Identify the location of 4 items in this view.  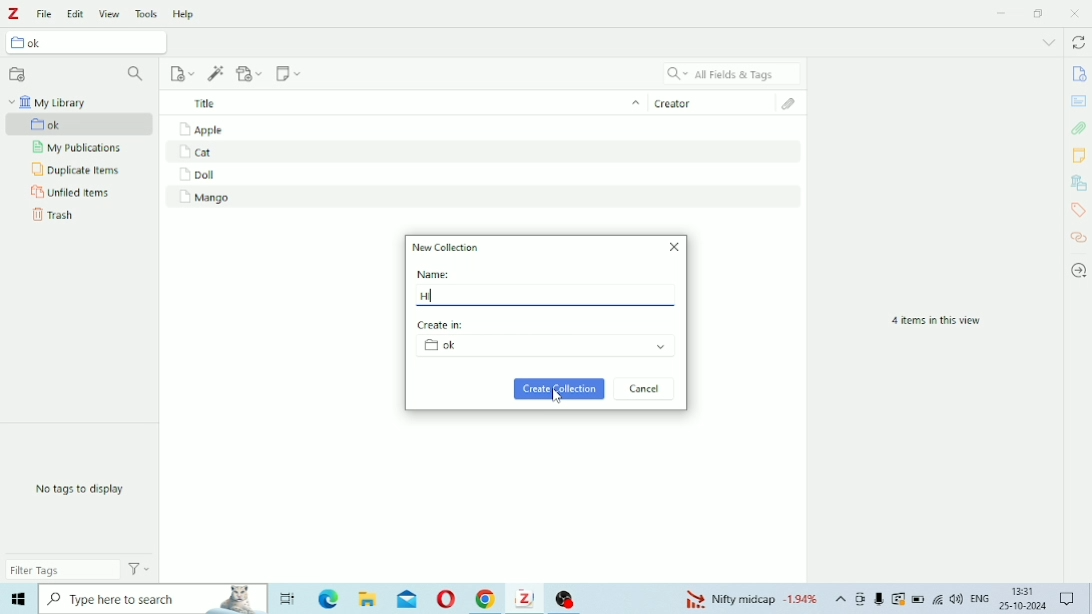
(936, 321).